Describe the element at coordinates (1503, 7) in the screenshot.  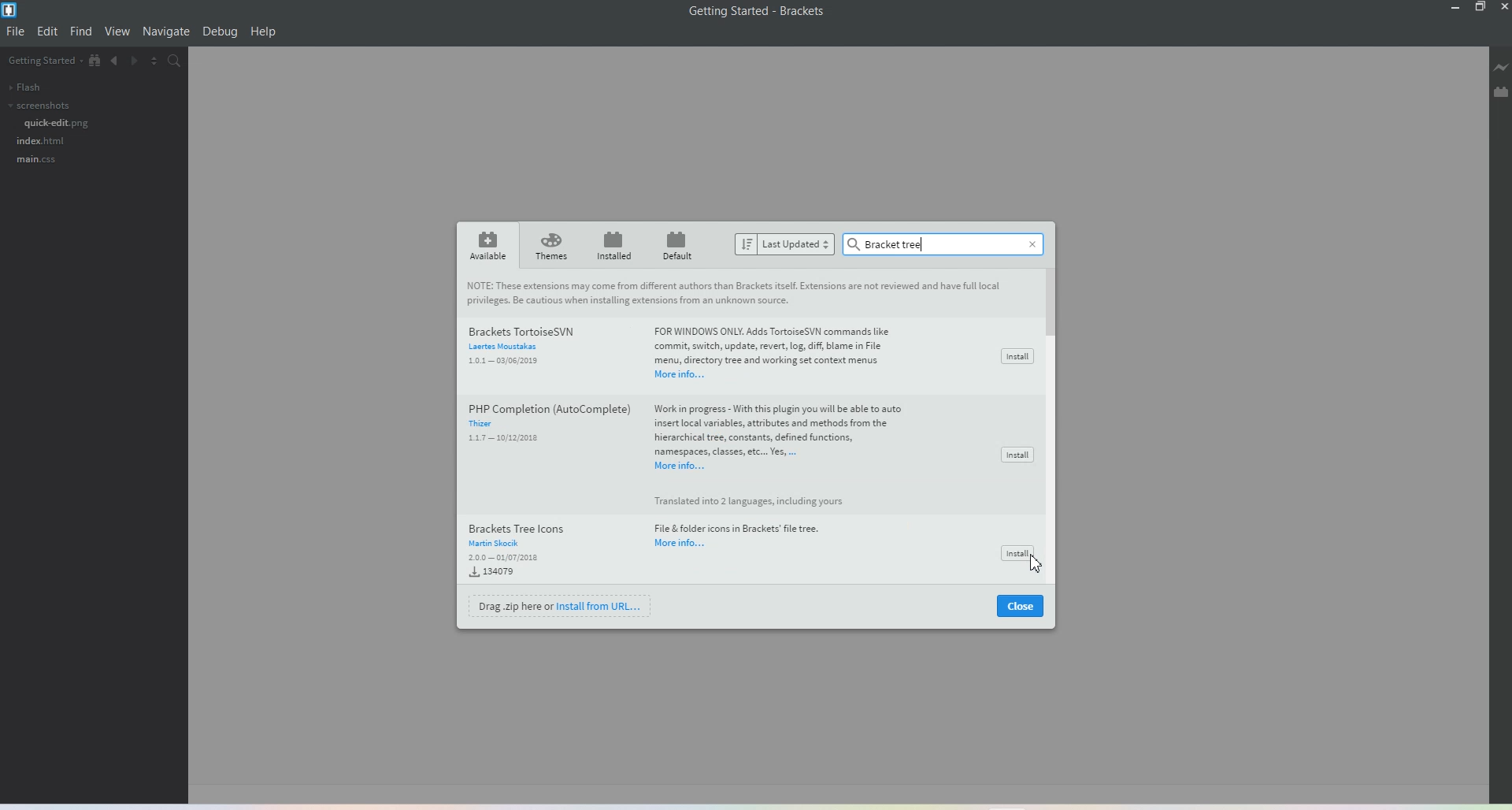
I see `Close` at that location.